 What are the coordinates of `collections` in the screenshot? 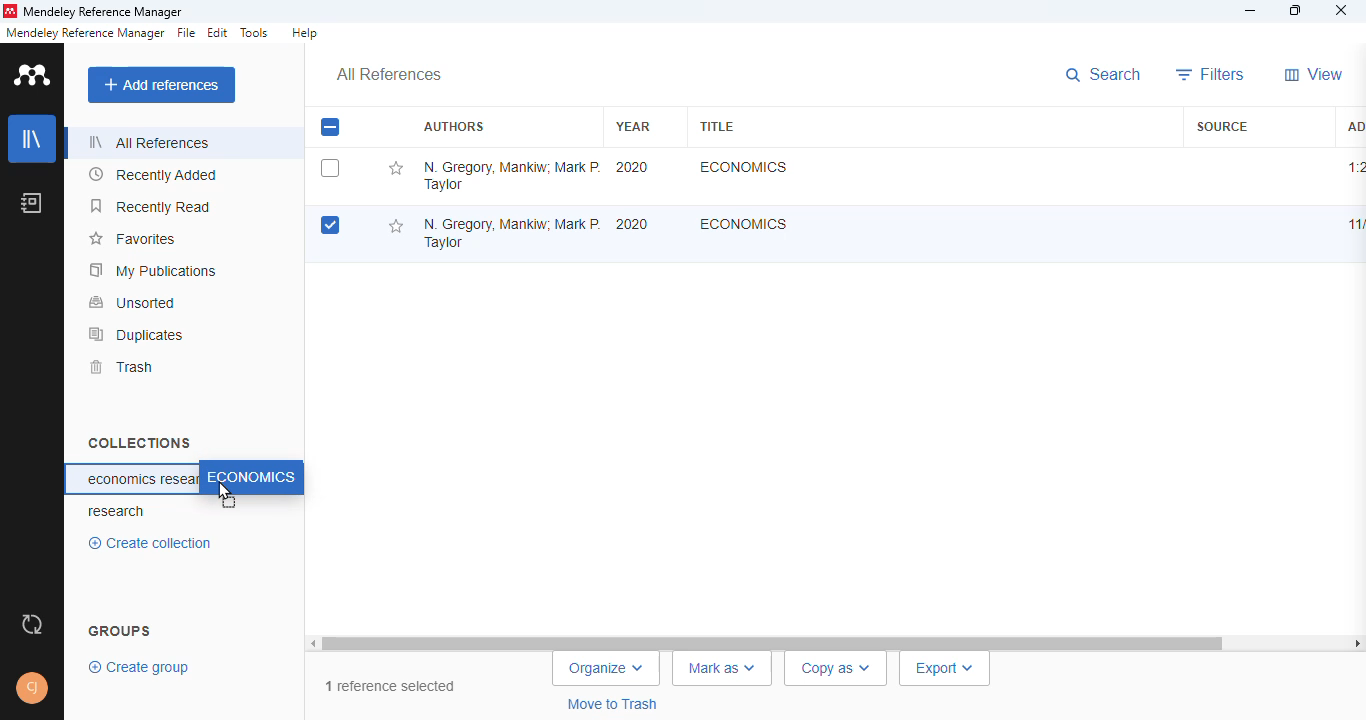 It's located at (139, 442).